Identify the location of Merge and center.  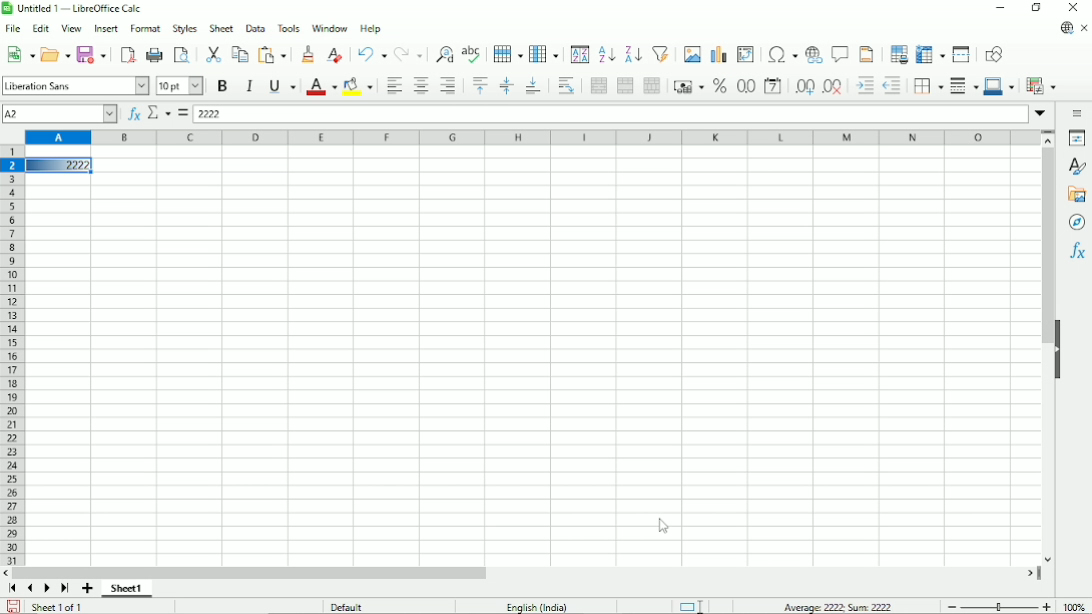
(599, 86).